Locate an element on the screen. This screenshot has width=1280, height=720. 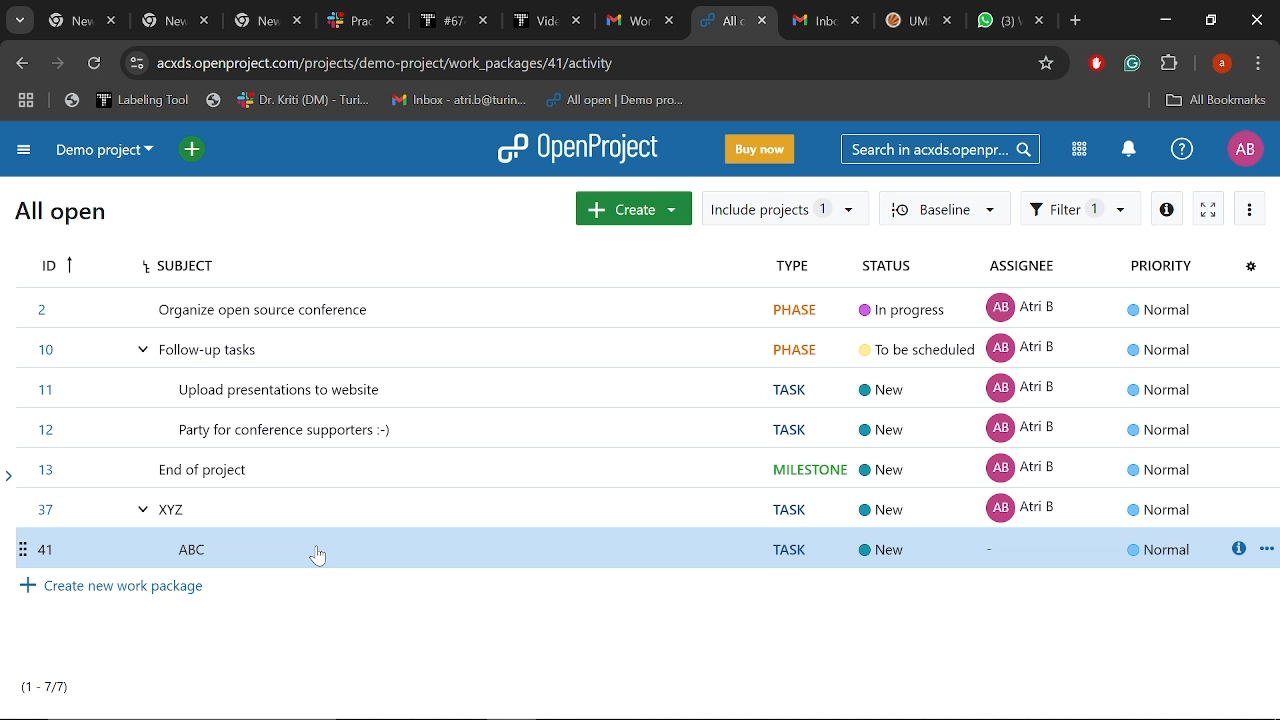
Filter is located at coordinates (1080, 208).